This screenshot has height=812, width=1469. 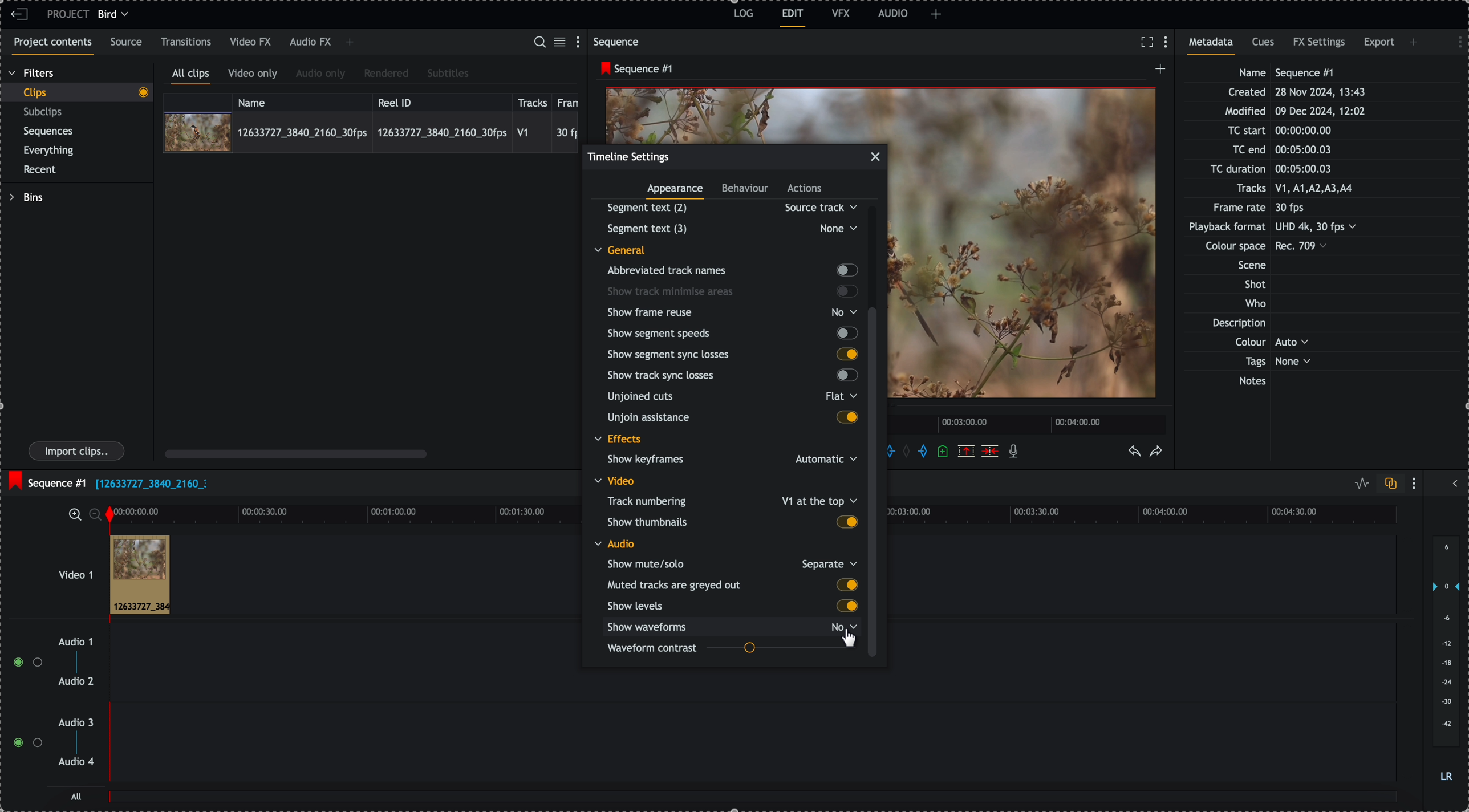 What do you see at coordinates (186, 42) in the screenshot?
I see `transitions` at bounding box center [186, 42].